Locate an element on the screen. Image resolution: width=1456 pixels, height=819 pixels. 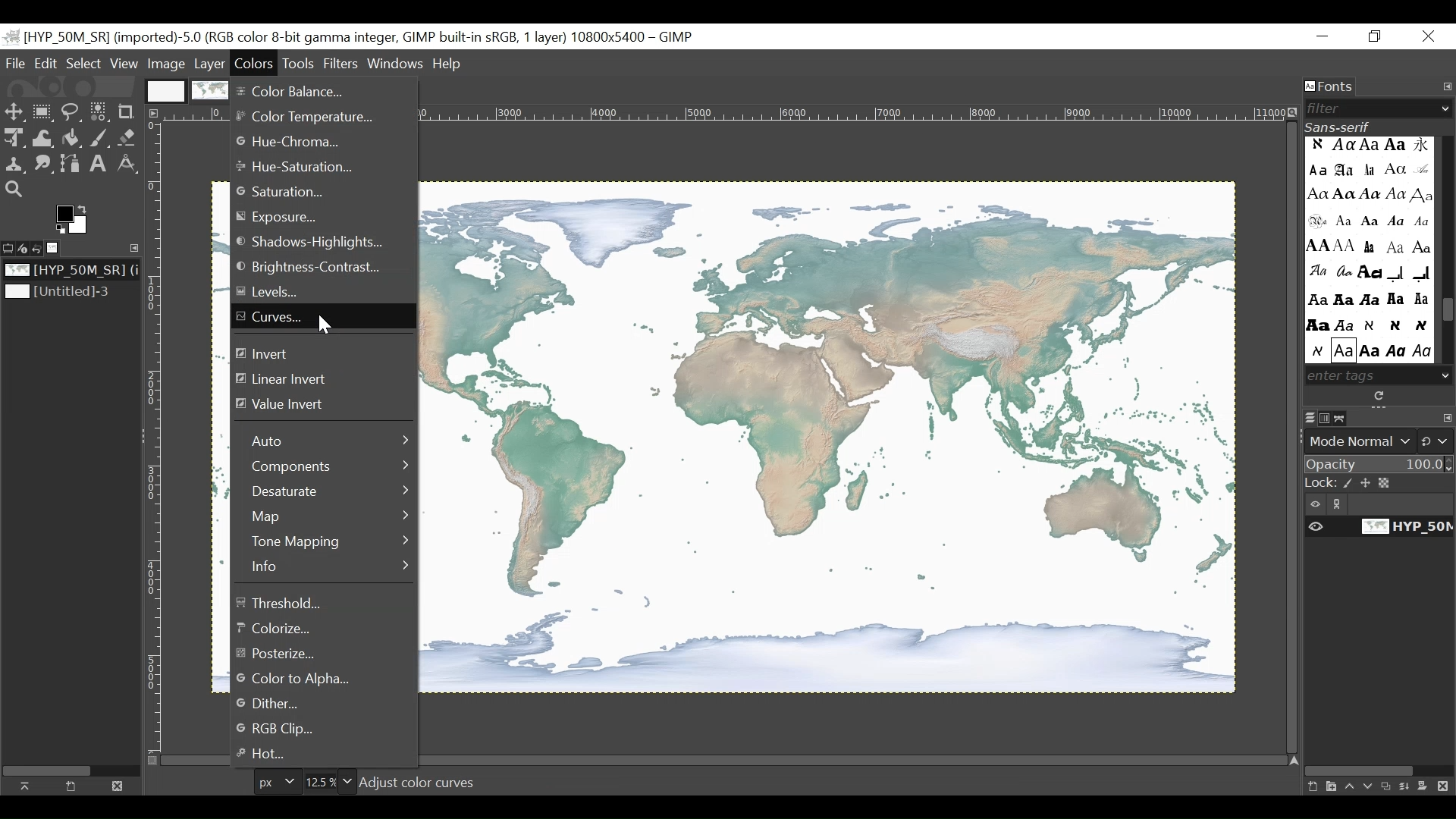
View is located at coordinates (124, 64).